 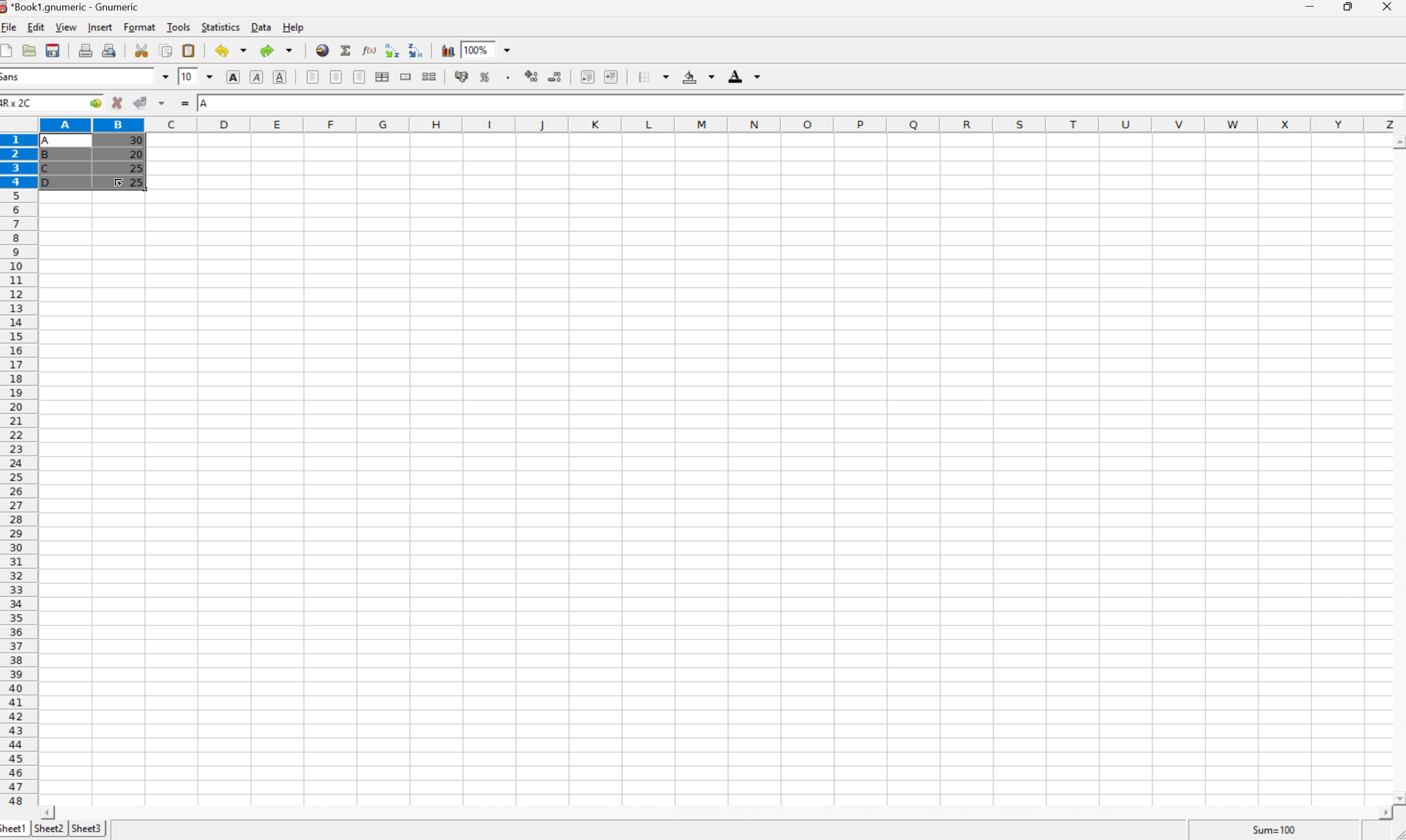 I want to click on View, so click(x=67, y=27).